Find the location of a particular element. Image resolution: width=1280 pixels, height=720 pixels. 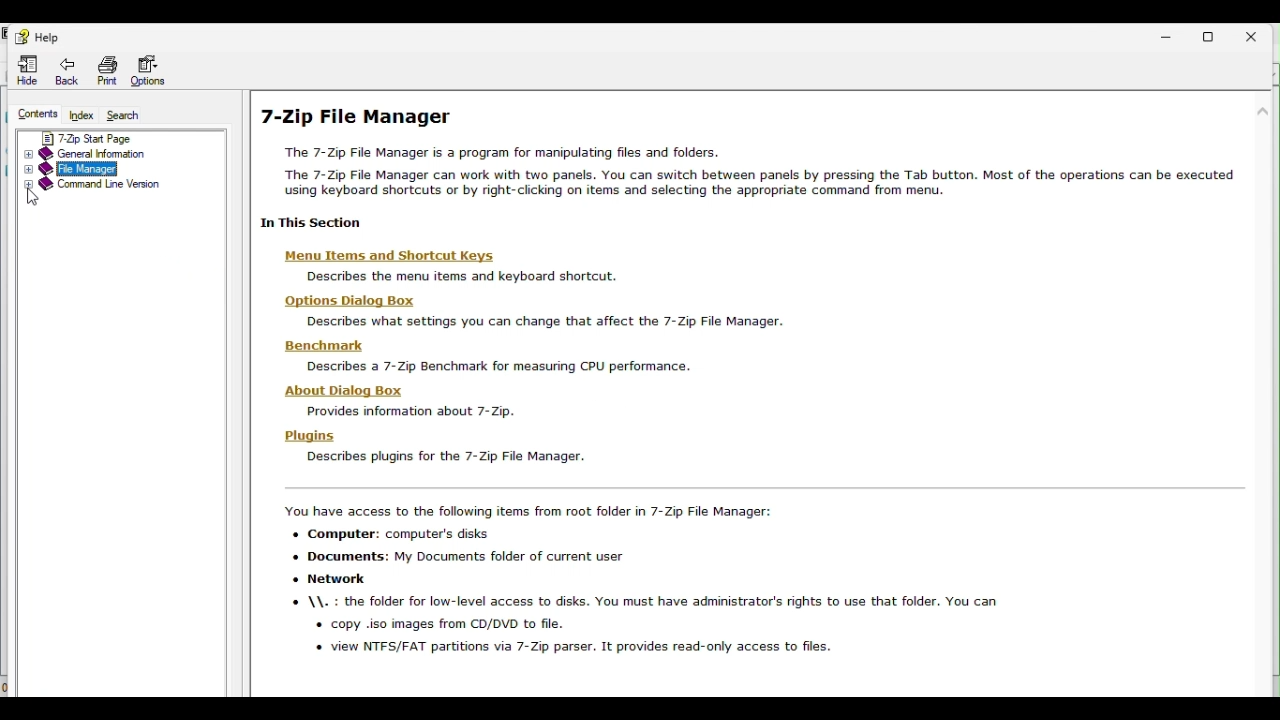

General information is located at coordinates (112, 154).